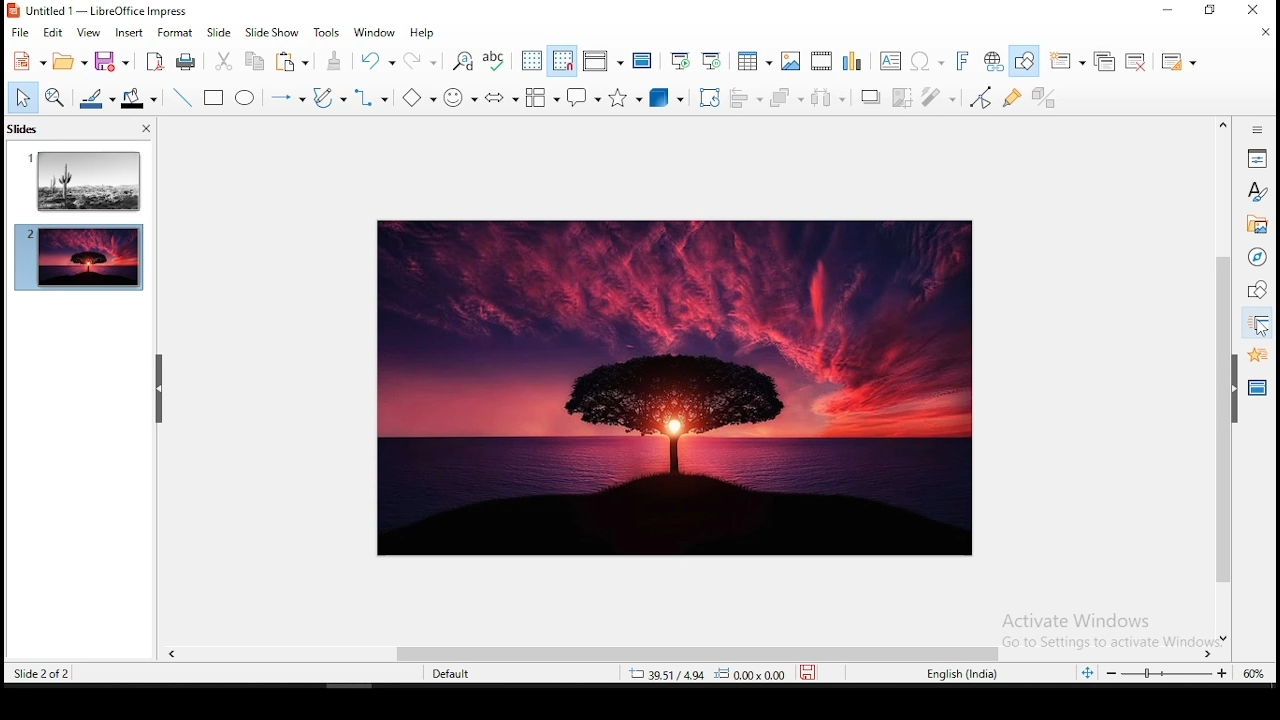 The height and width of the screenshot is (720, 1280). I want to click on distribute, so click(831, 97).